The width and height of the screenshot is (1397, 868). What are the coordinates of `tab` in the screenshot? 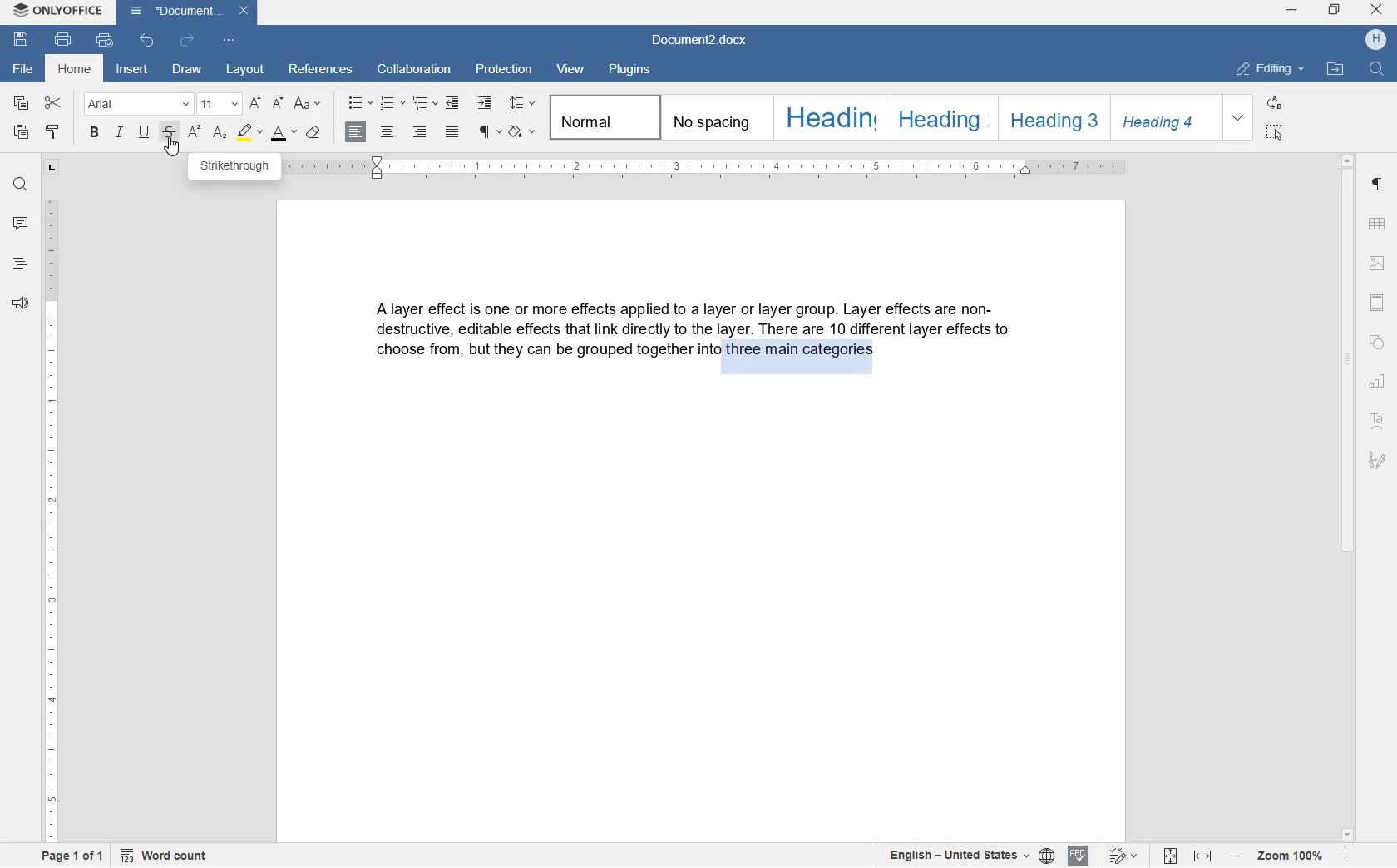 It's located at (52, 167).